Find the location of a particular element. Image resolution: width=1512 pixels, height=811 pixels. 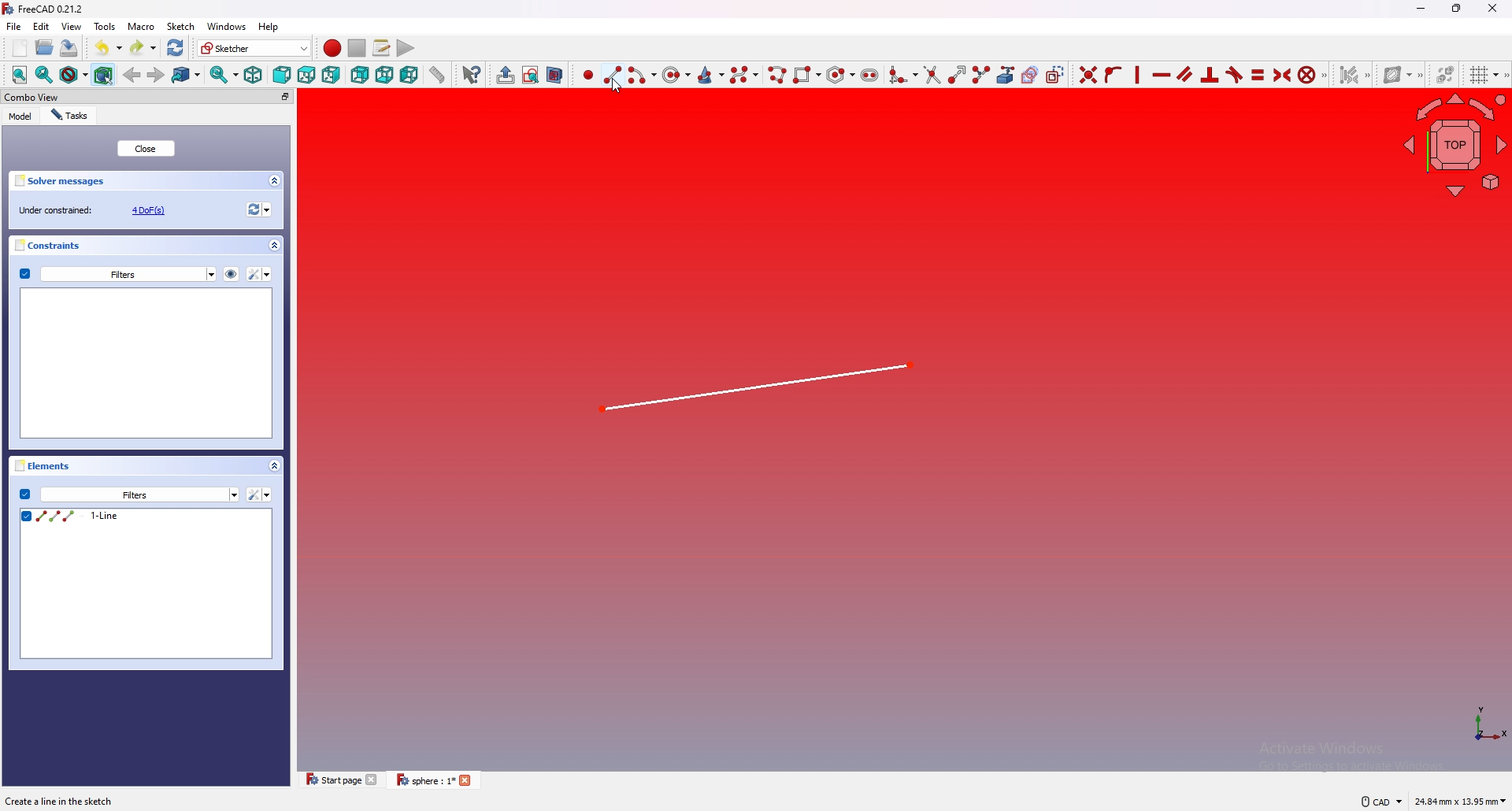

Execute macro is located at coordinates (404, 47).